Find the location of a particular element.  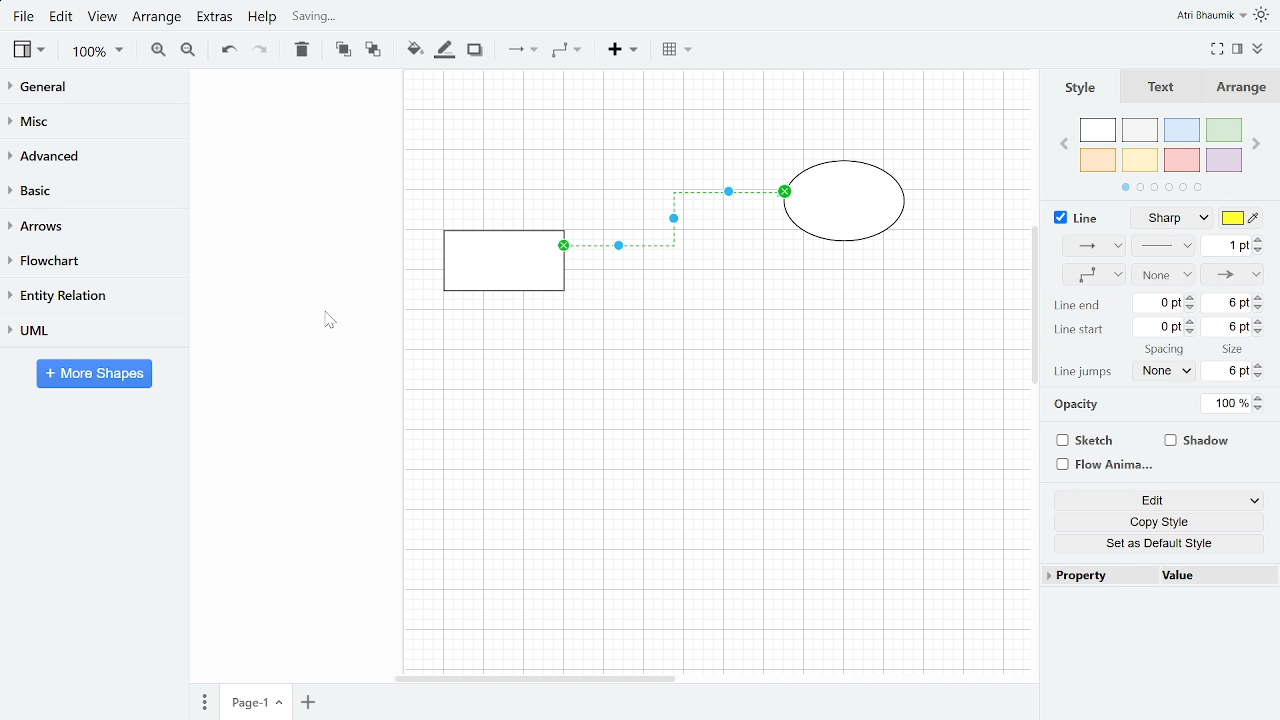

View is located at coordinates (104, 19).